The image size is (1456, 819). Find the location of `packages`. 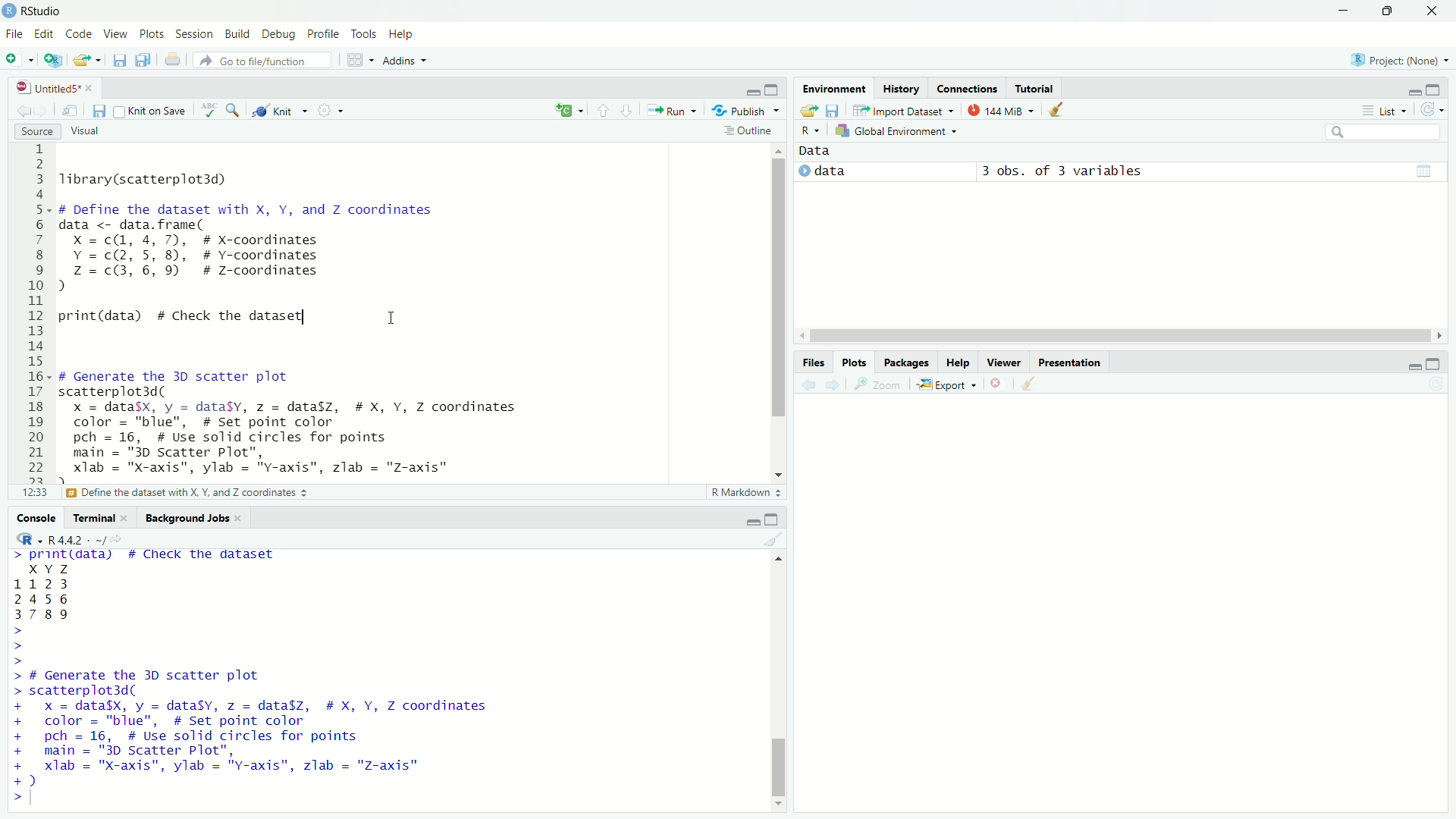

packages is located at coordinates (905, 362).